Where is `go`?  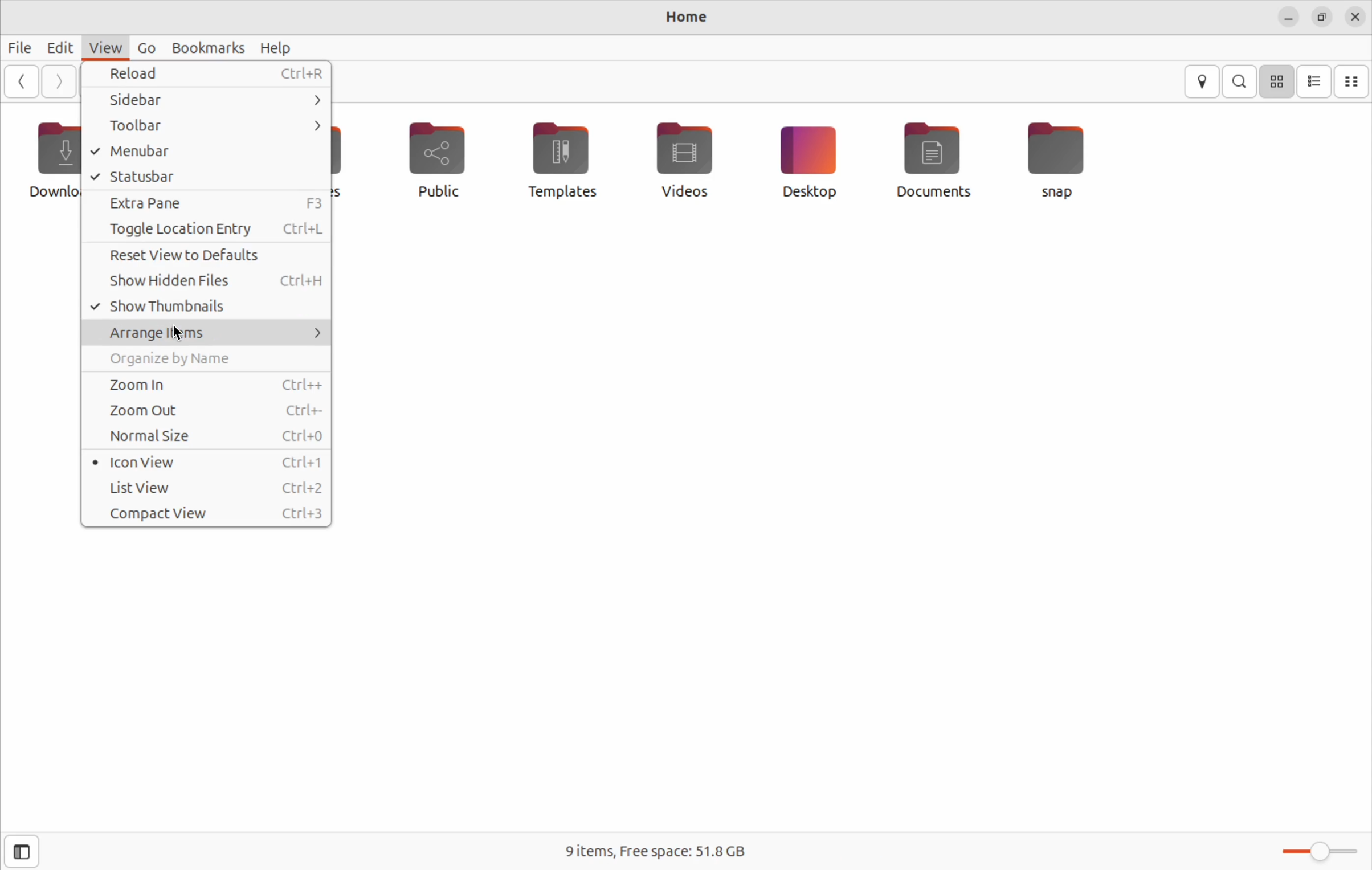 go is located at coordinates (144, 48).